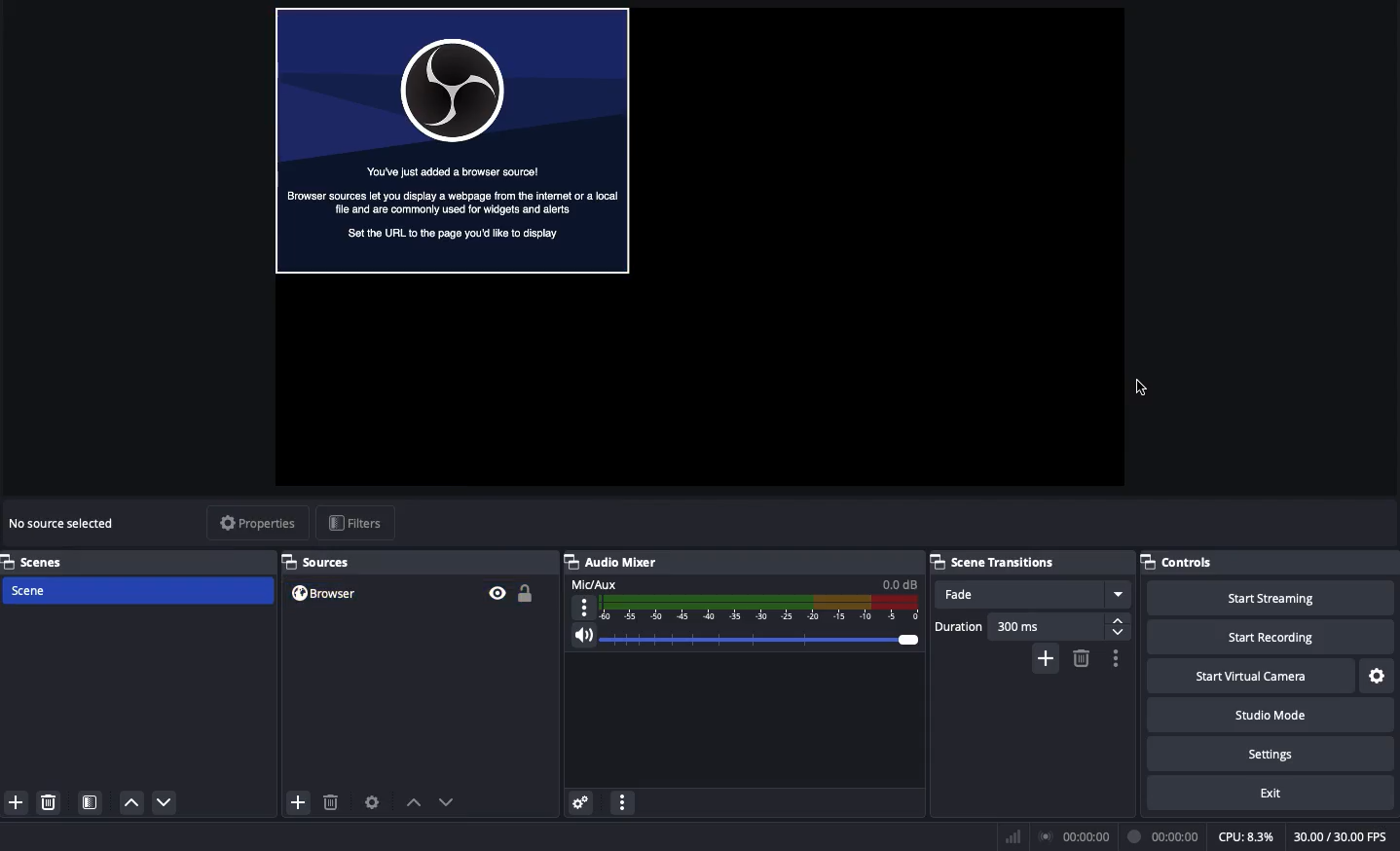  Describe the element at coordinates (497, 592) in the screenshot. I see `Visible` at that location.